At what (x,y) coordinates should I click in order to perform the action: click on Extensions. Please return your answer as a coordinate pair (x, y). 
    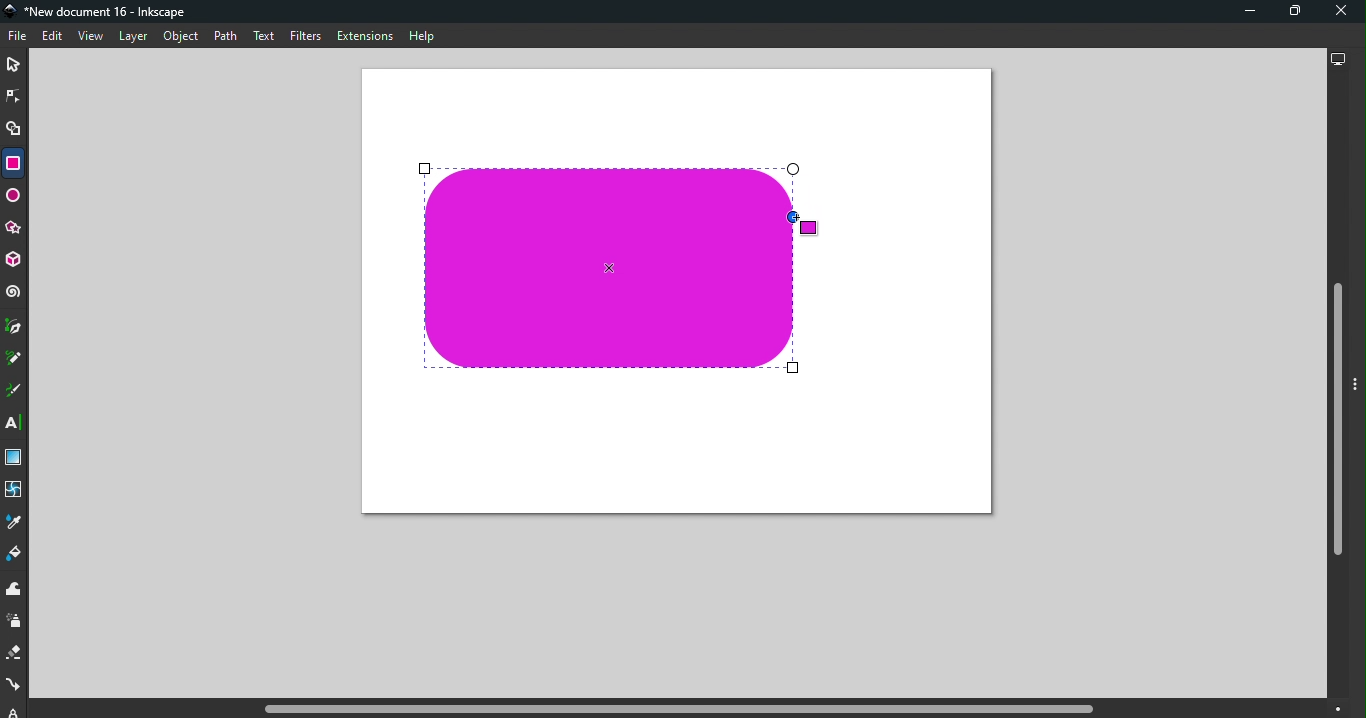
    Looking at the image, I should click on (363, 35).